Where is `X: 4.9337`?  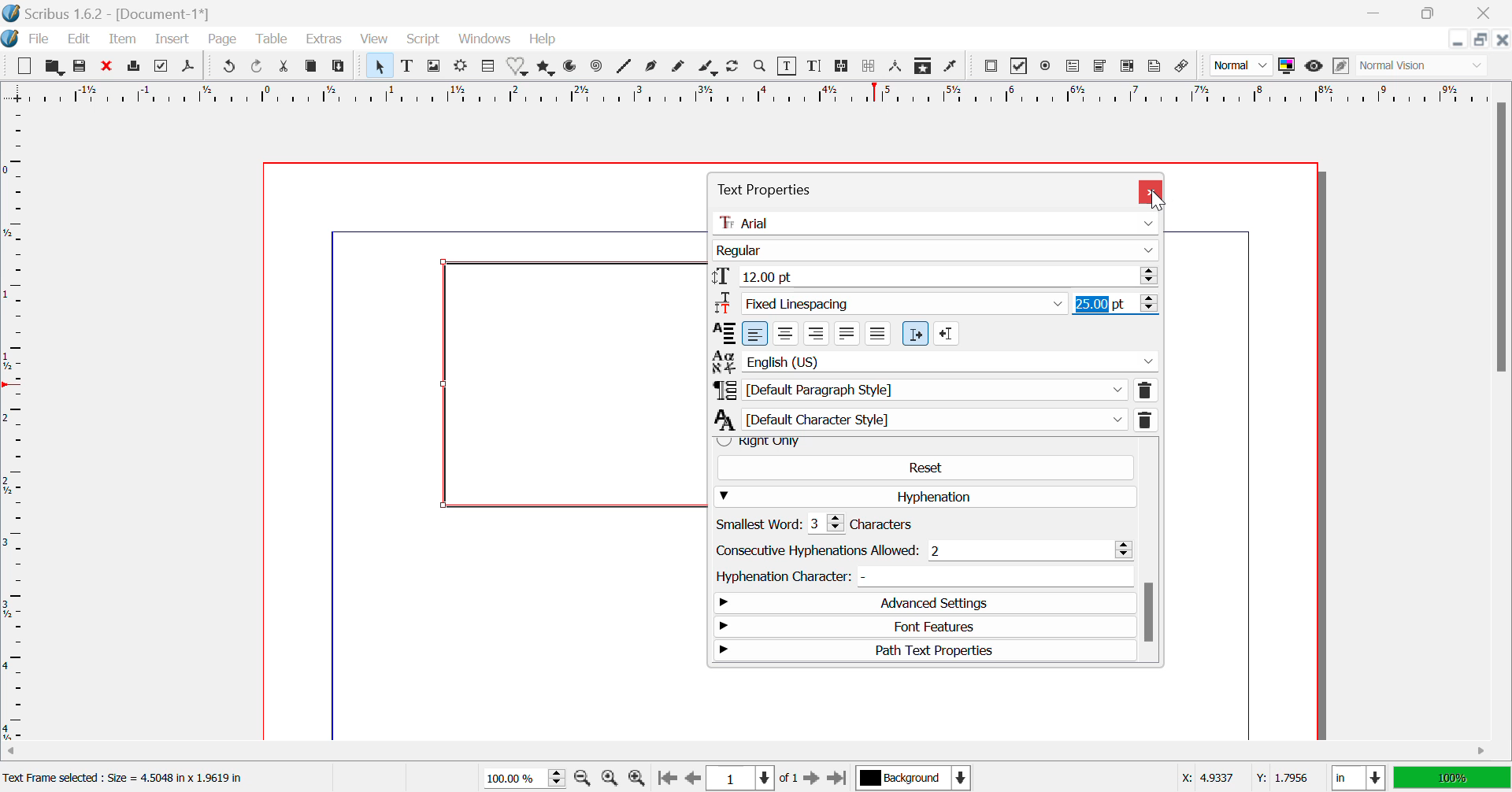
X: 4.9337 is located at coordinates (1206, 777).